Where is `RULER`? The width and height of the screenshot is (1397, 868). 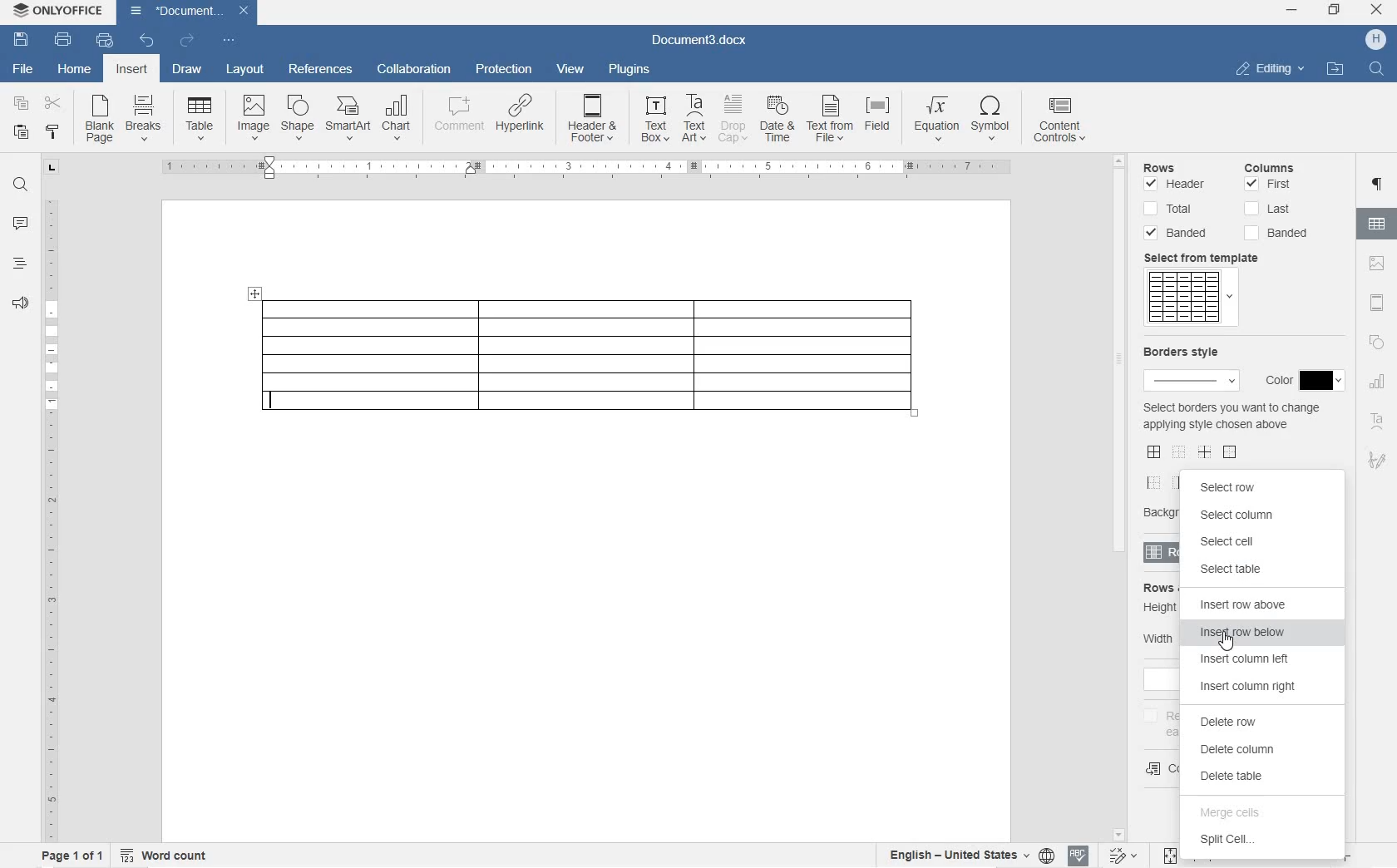 RULER is located at coordinates (49, 518).